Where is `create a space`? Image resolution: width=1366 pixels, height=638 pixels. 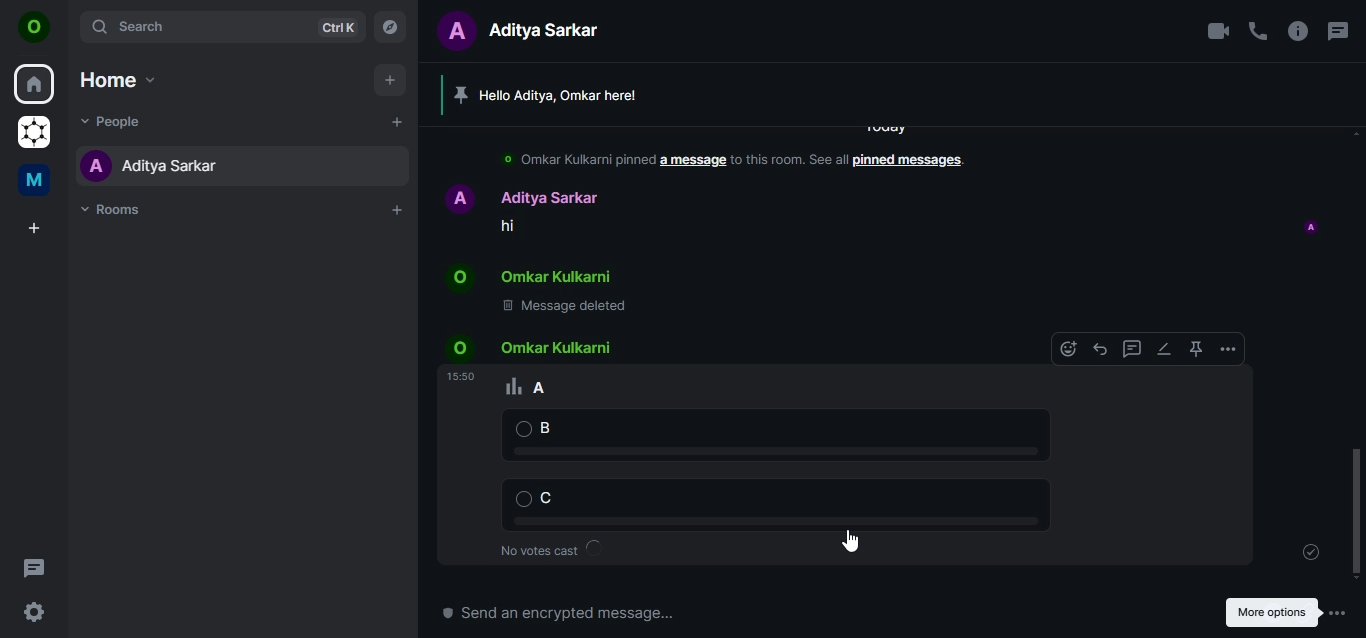
create a space is located at coordinates (37, 229).